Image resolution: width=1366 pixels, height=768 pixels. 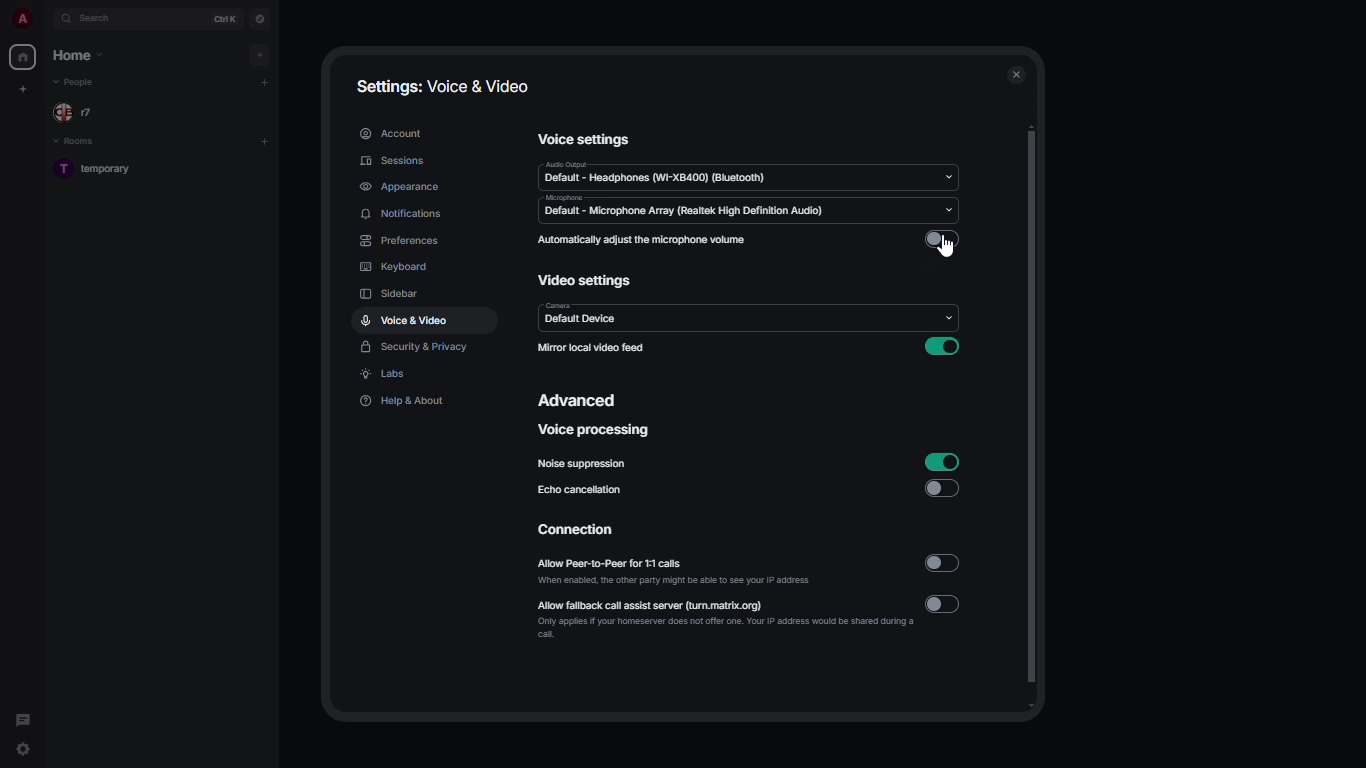 I want to click on noise suppression, so click(x=583, y=464).